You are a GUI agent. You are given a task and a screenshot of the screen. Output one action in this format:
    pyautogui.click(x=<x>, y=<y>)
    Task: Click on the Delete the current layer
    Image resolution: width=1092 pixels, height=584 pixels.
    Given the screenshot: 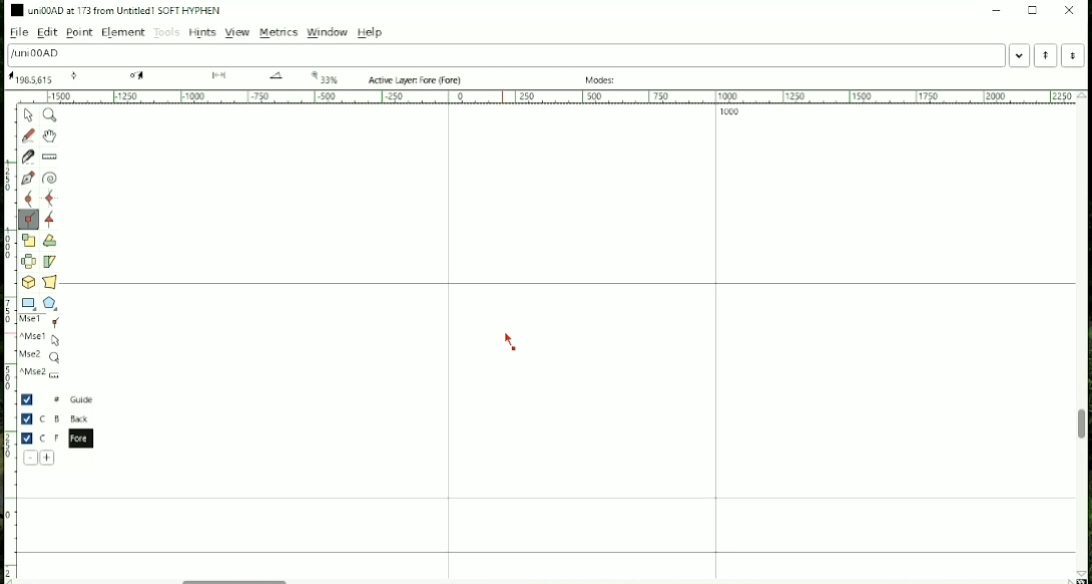 What is the action you would take?
    pyautogui.click(x=31, y=458)
    